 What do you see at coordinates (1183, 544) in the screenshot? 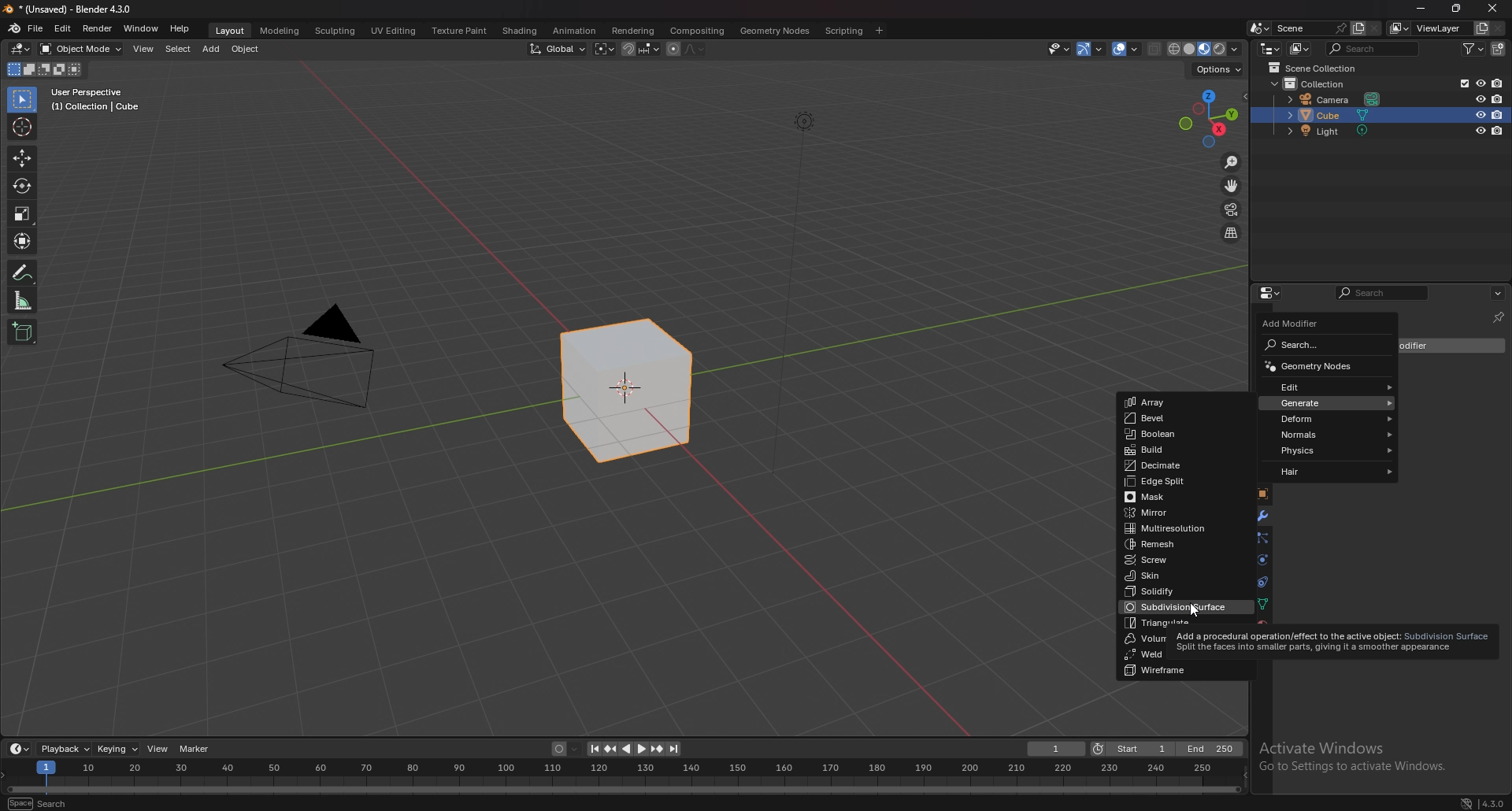
I see `remesh` at bounding box center [1183, 544].